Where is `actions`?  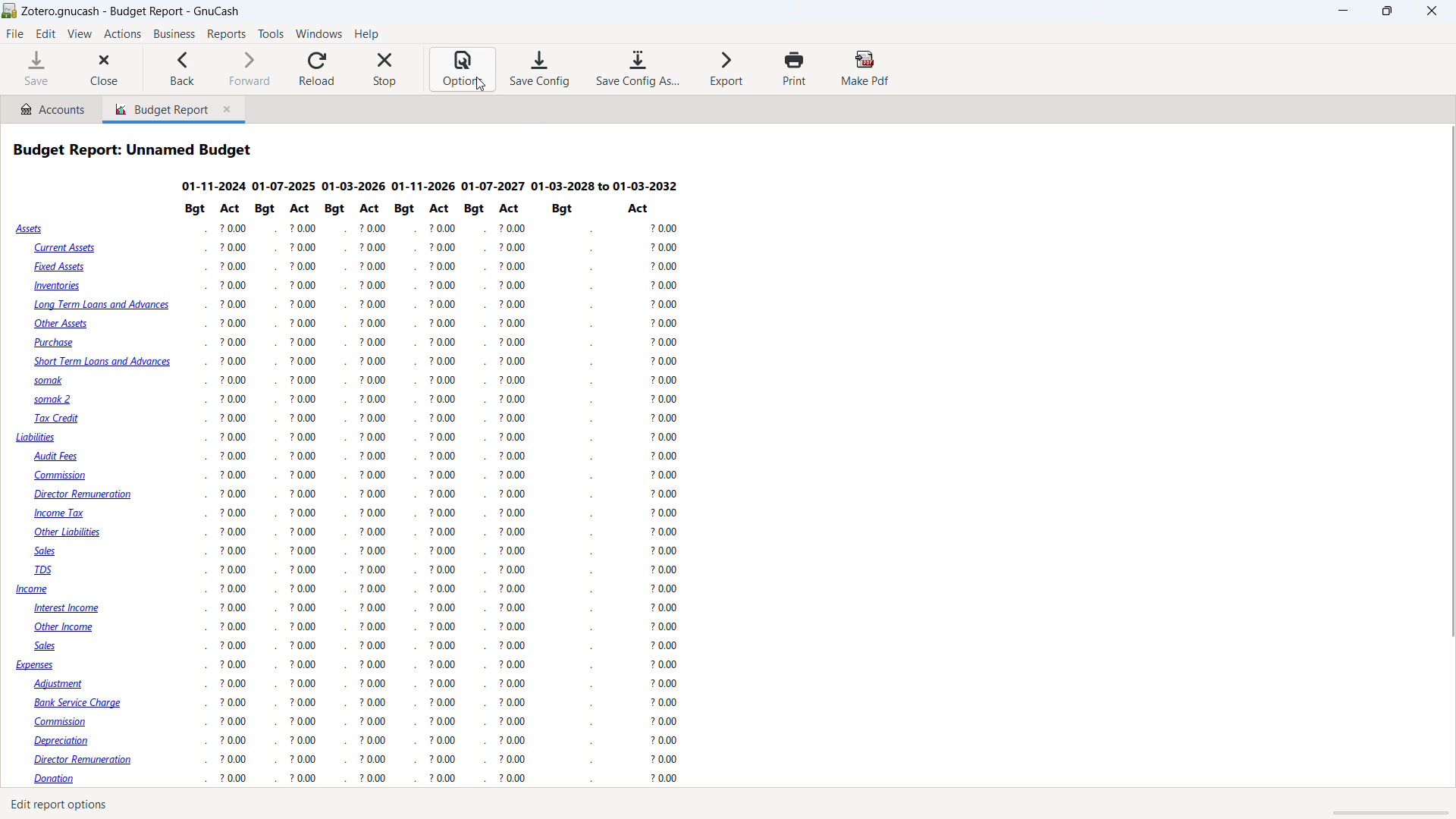
actions is located at coordinates (122, 35).